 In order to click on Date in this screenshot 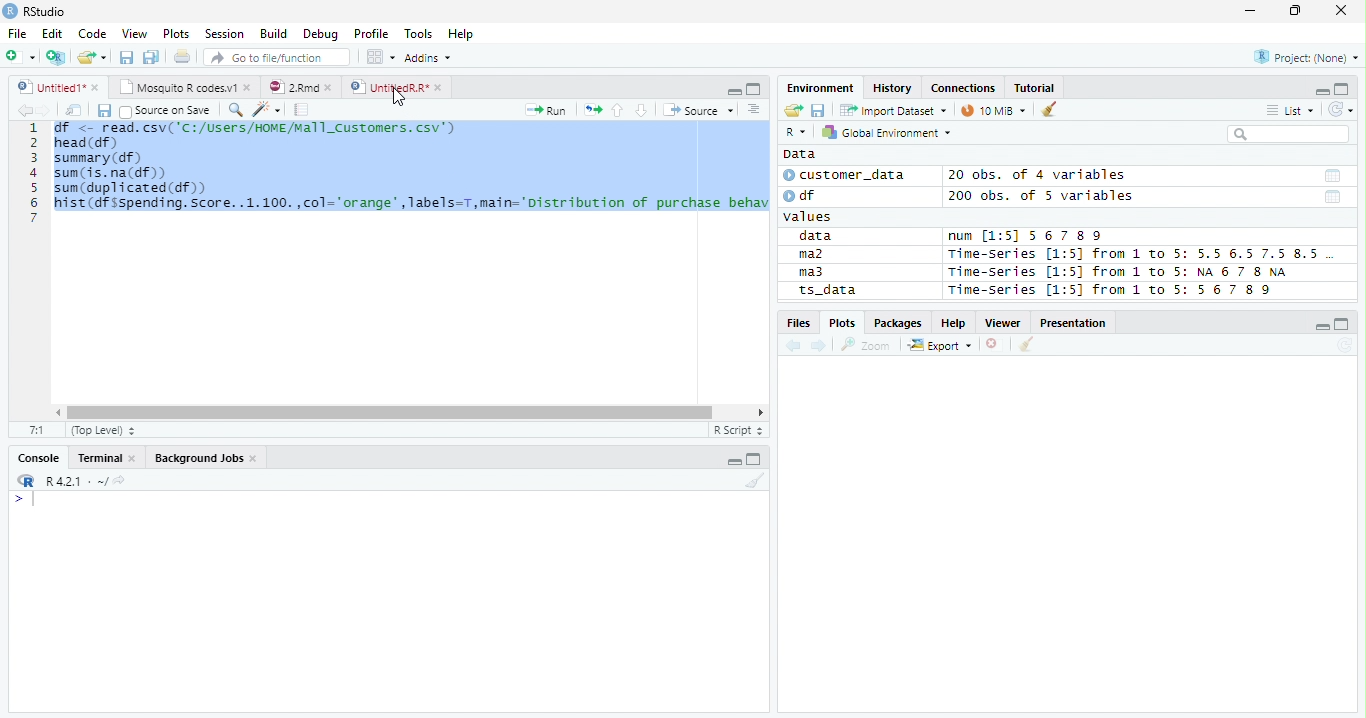, I will do `click(1333, 198)`.